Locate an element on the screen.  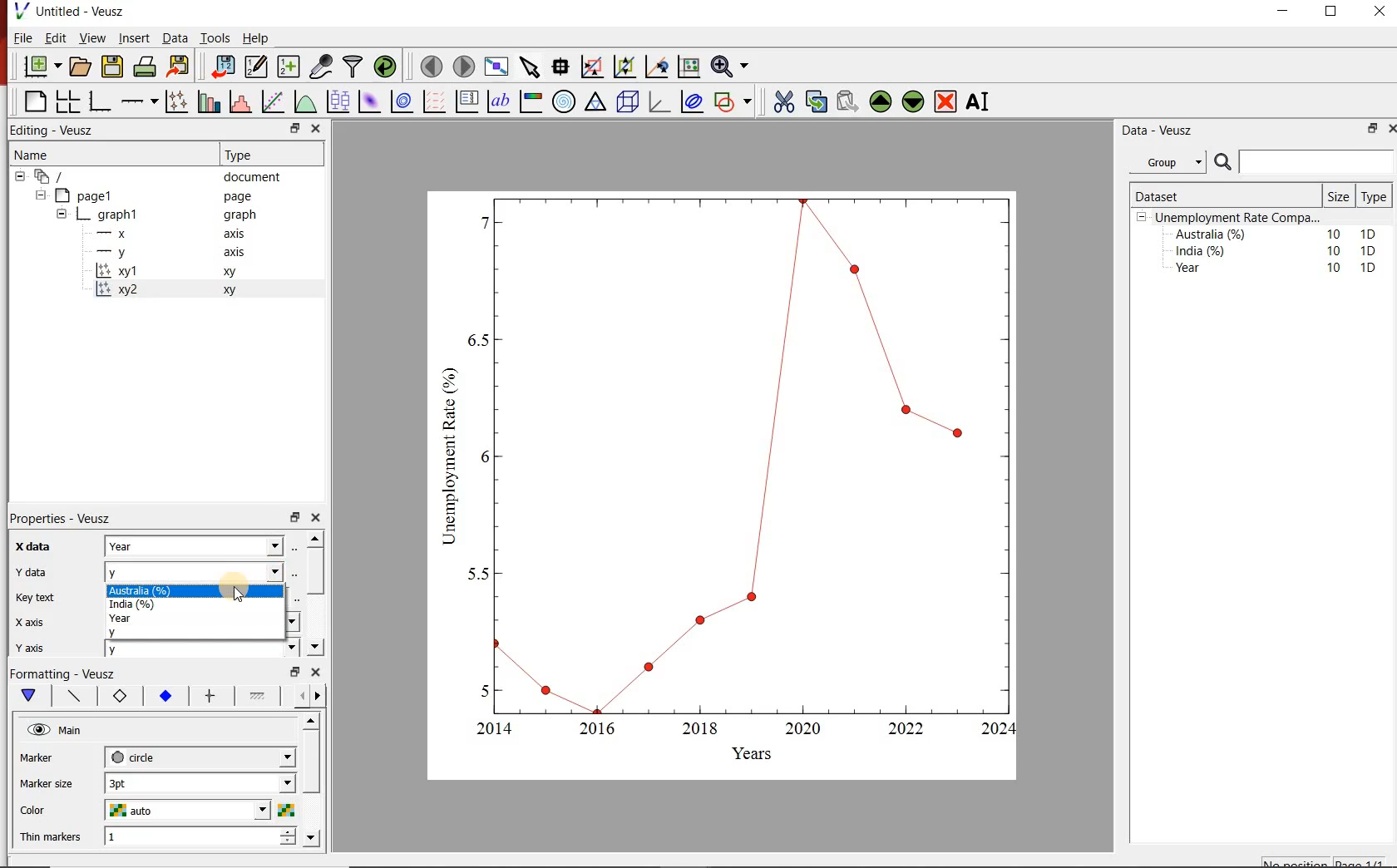
zoom funtions is located at coordinates (733, 65).